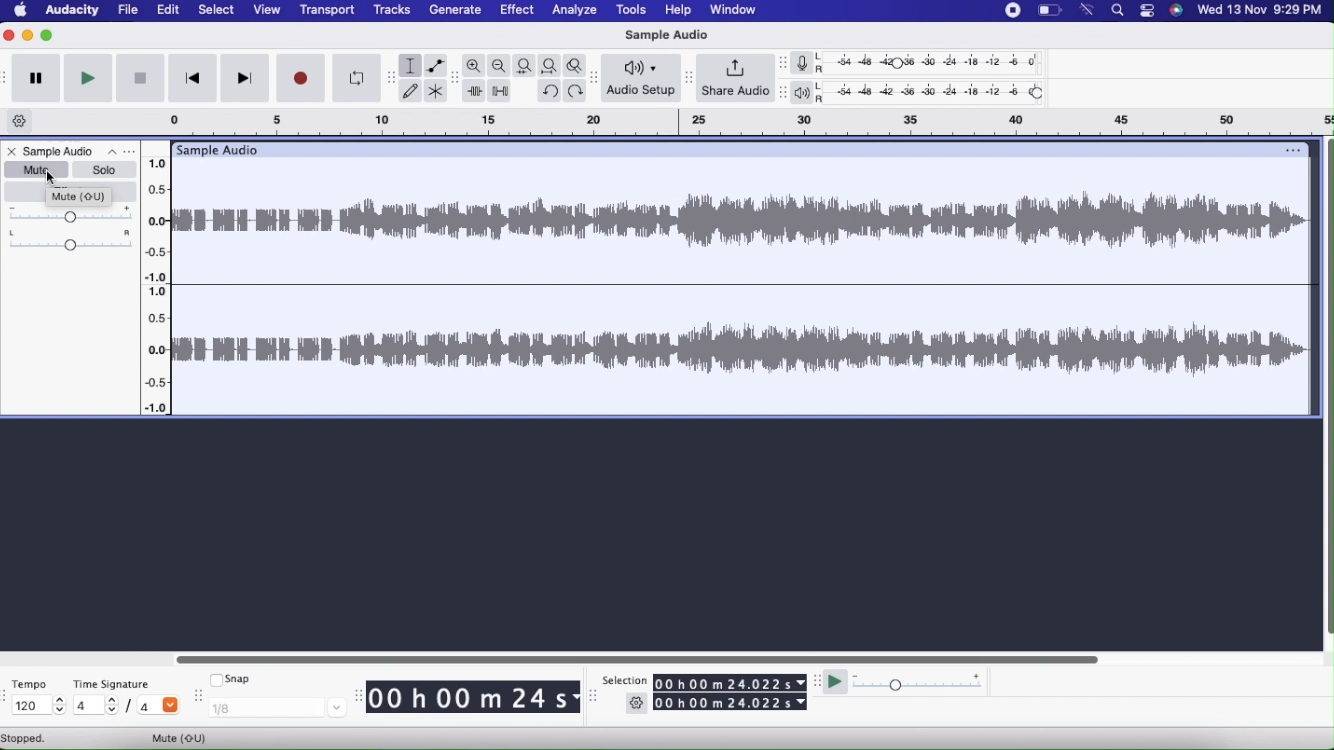  Describe the element at coordinates (232, 680) in the screenshot. I see `Snap` at that location.